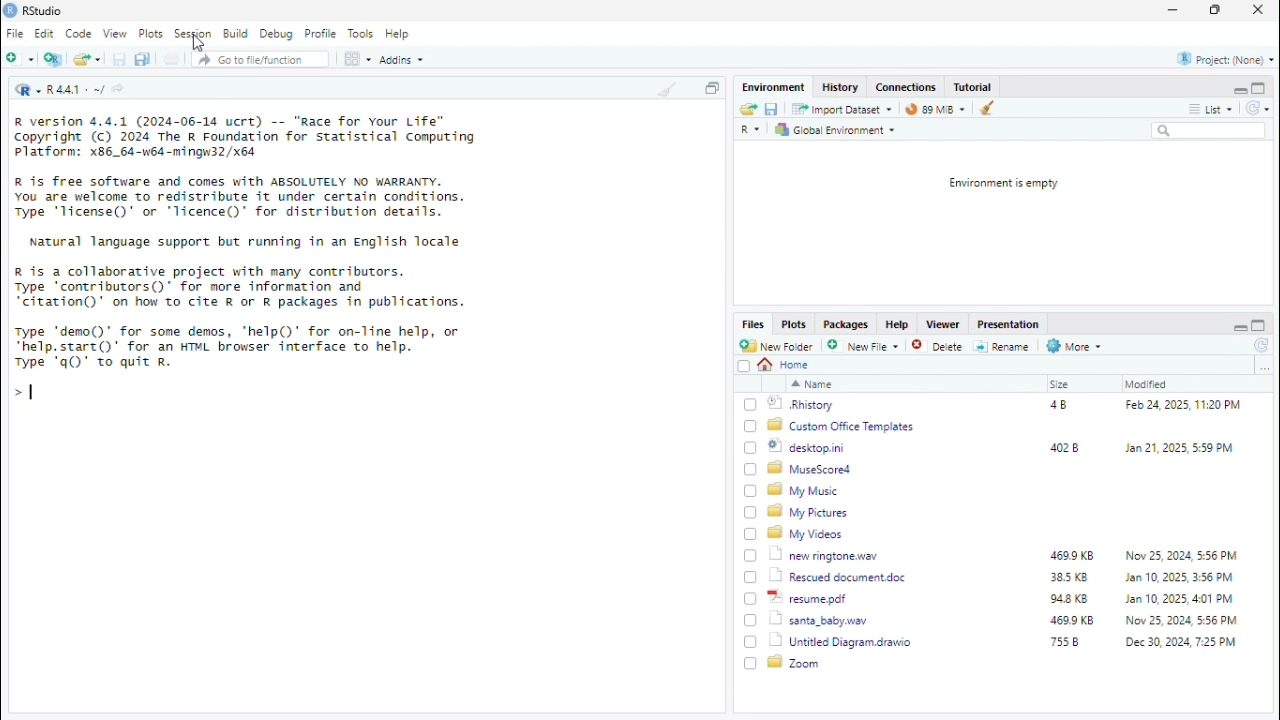 Image resolution: width=1280 pixels, height=720 pixels. Describe the element at coordinates (32, 392) in the screenshot. I see `typing indicator` at that location.